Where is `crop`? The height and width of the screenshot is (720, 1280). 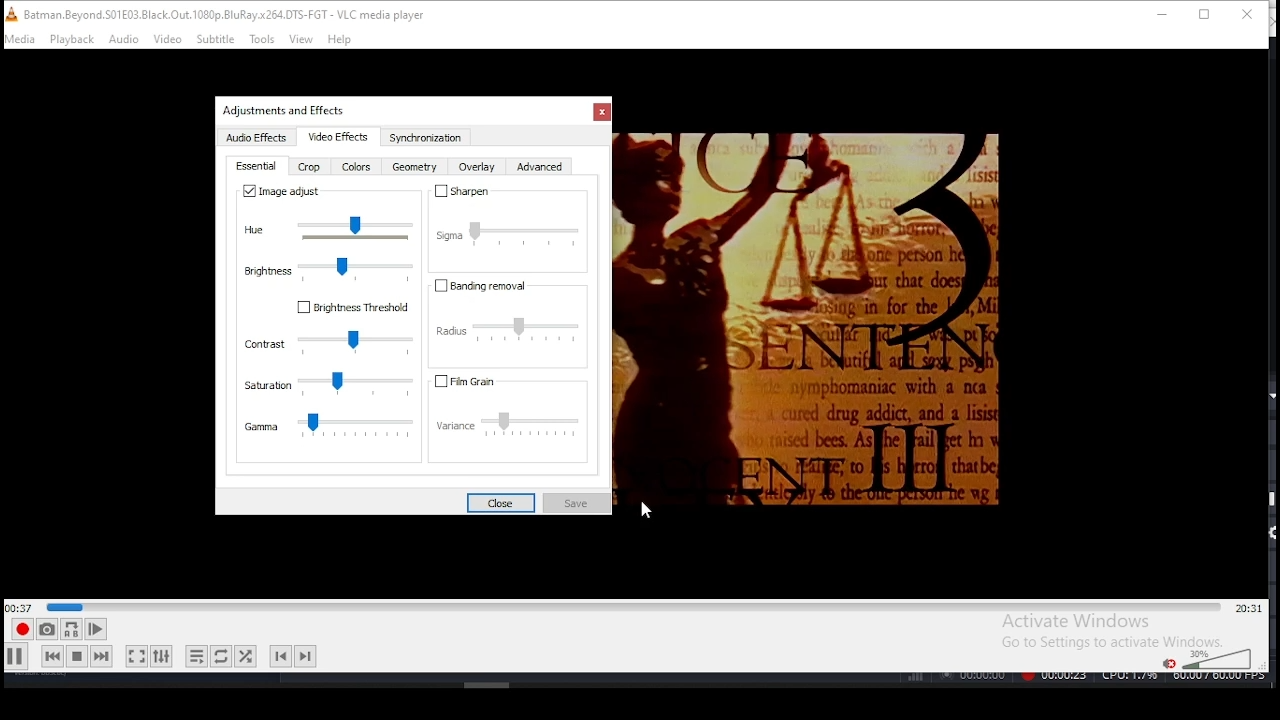 crop is located at coordinates (310, 169).